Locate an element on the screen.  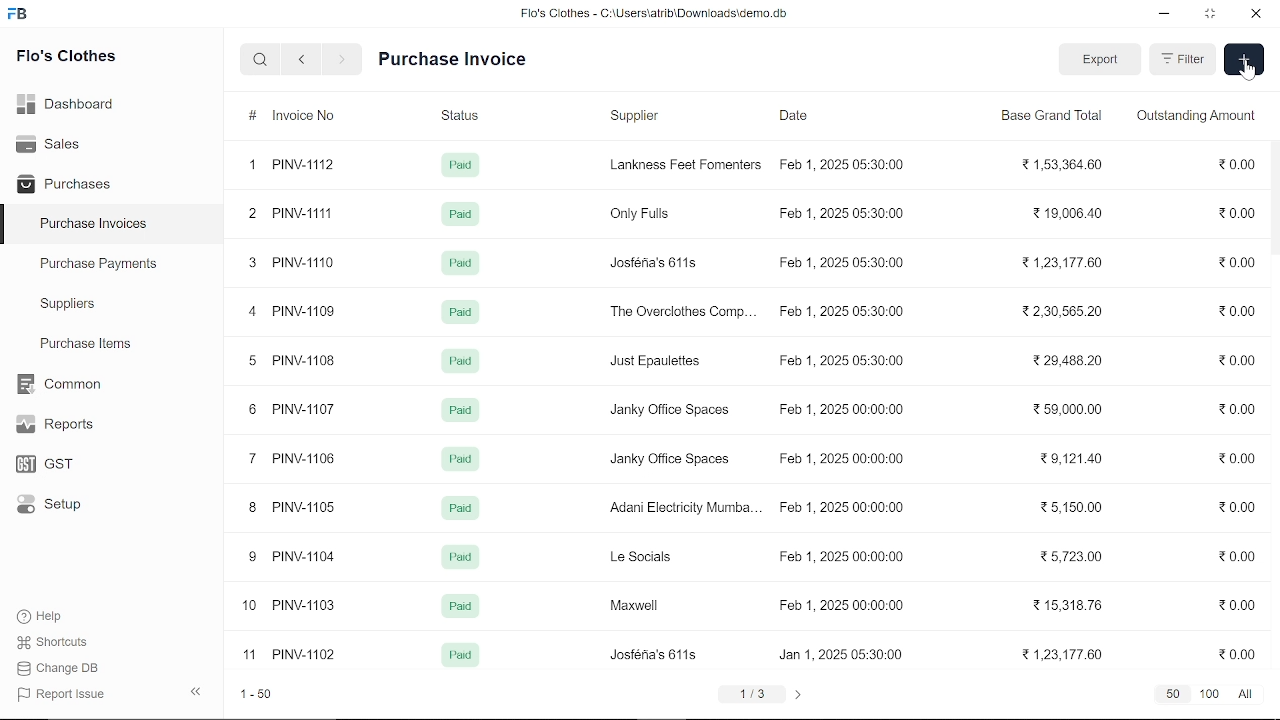
Sales is located at coordinates (48, 142).